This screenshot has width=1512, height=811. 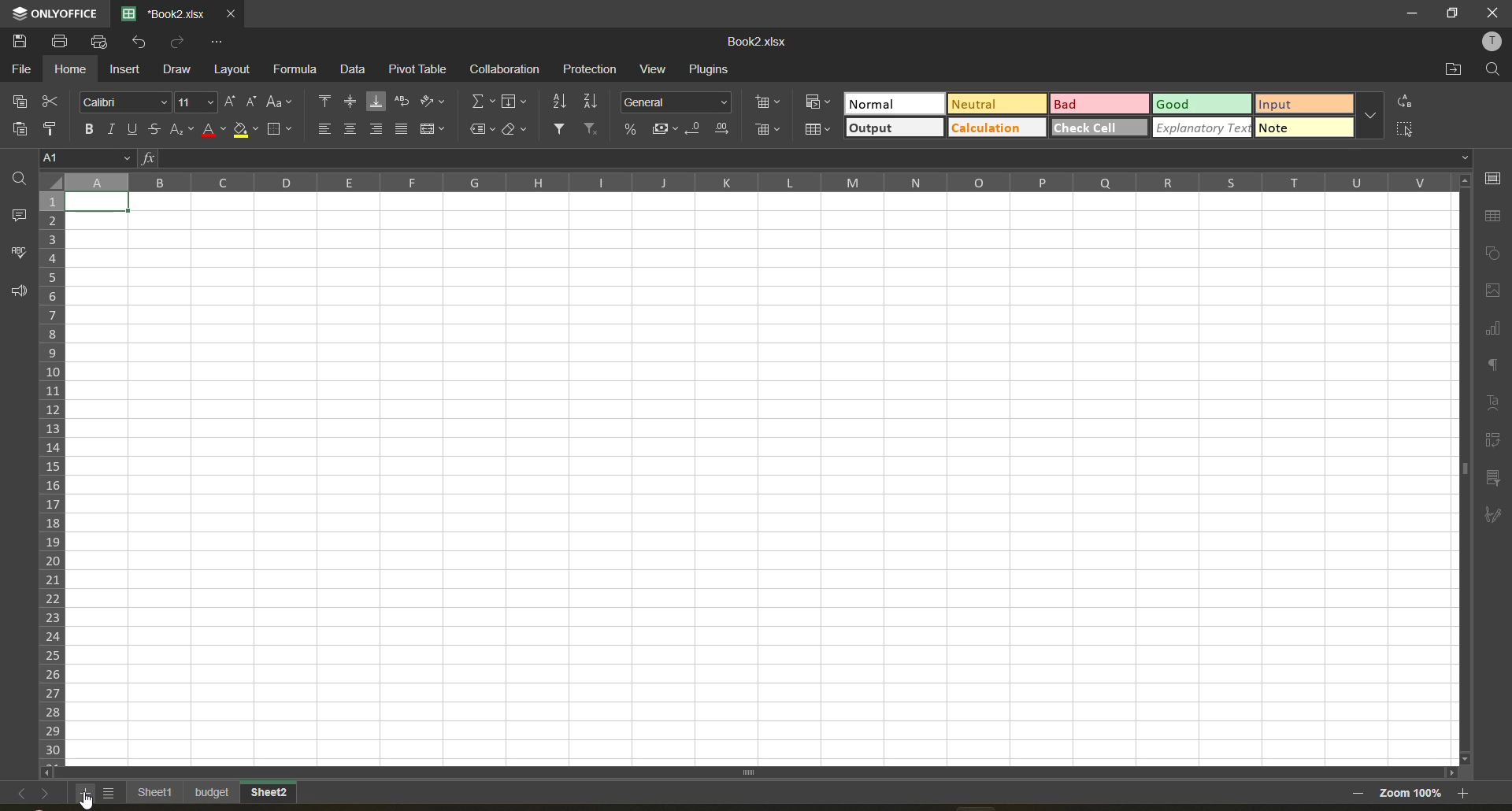 I want to click on print, so click(x=61, y=43).